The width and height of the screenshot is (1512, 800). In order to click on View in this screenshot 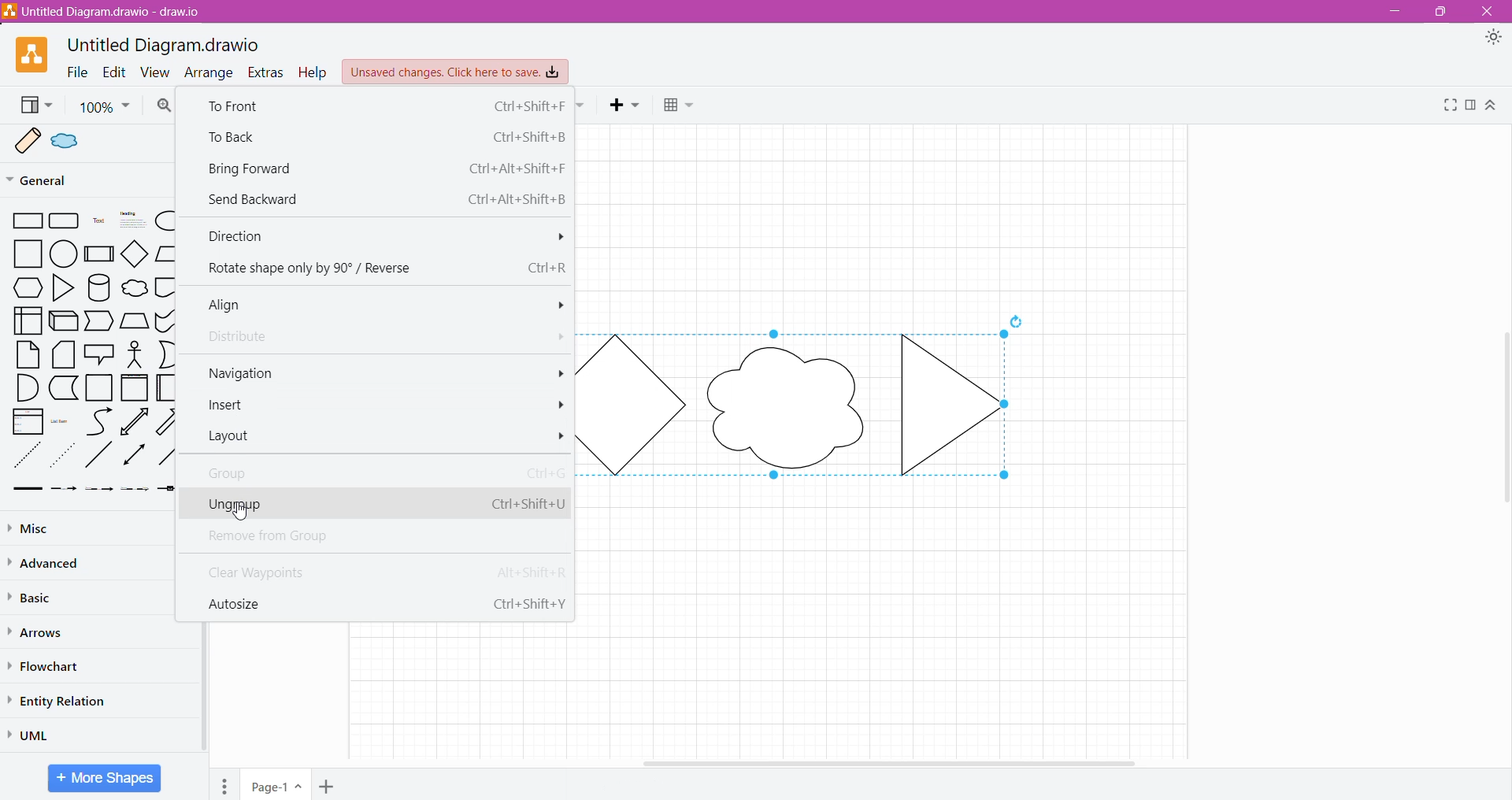, I will do `click(35, 106)`.